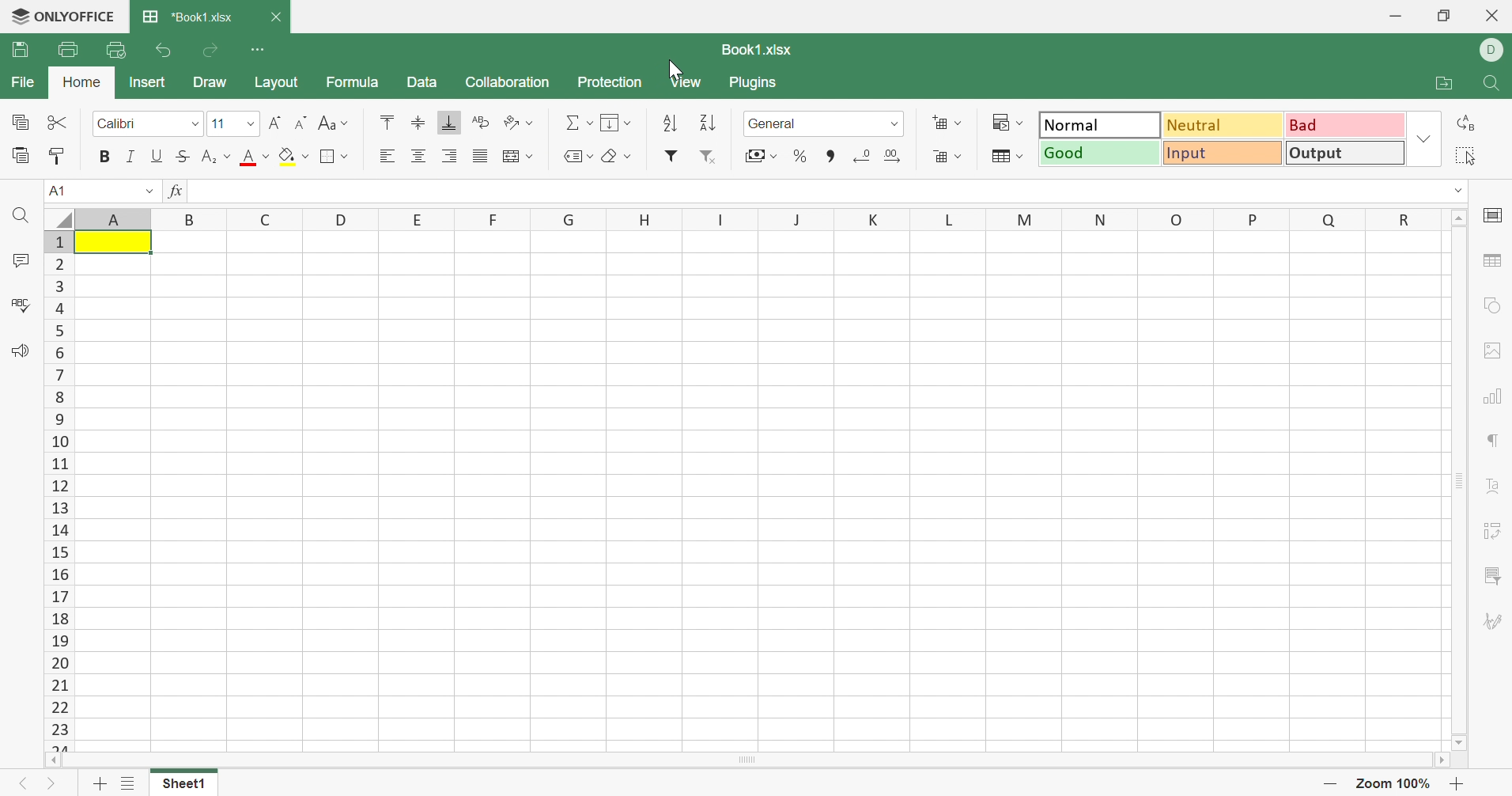 The height and width of the screenshot is (796, 1512). Describe the element at coordinates (892, 154) in the screenshot. I see `Increase decimal` at that location.